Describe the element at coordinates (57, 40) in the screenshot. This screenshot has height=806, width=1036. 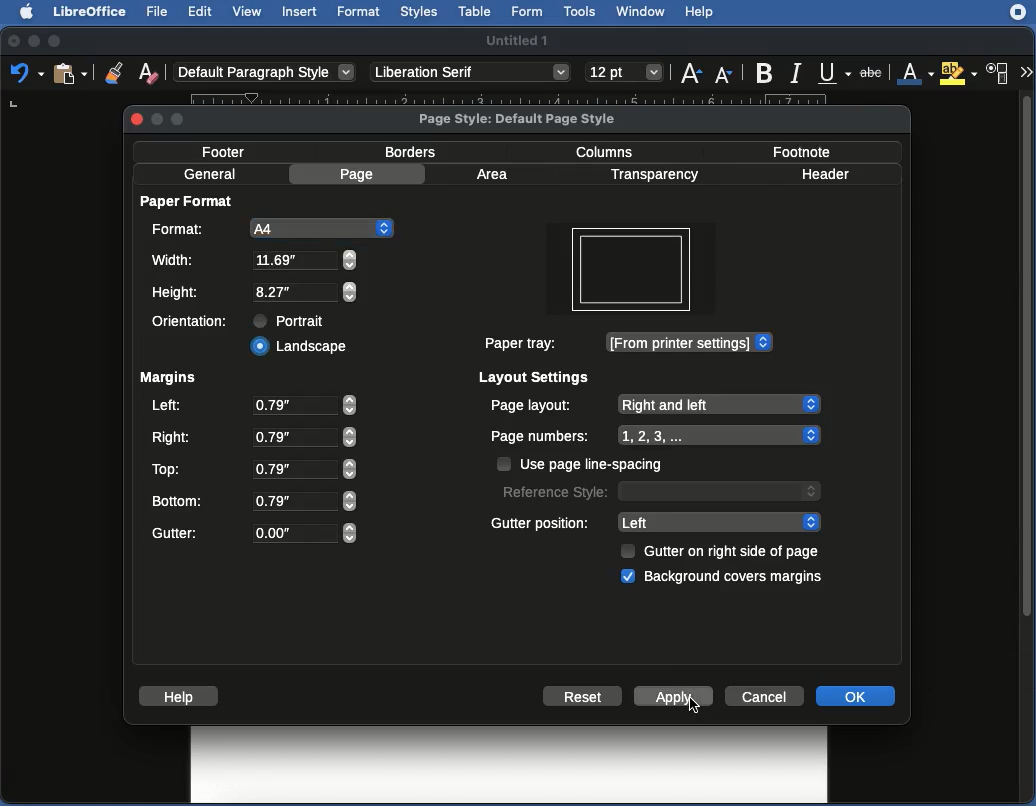
I see `Maximize` at that location.